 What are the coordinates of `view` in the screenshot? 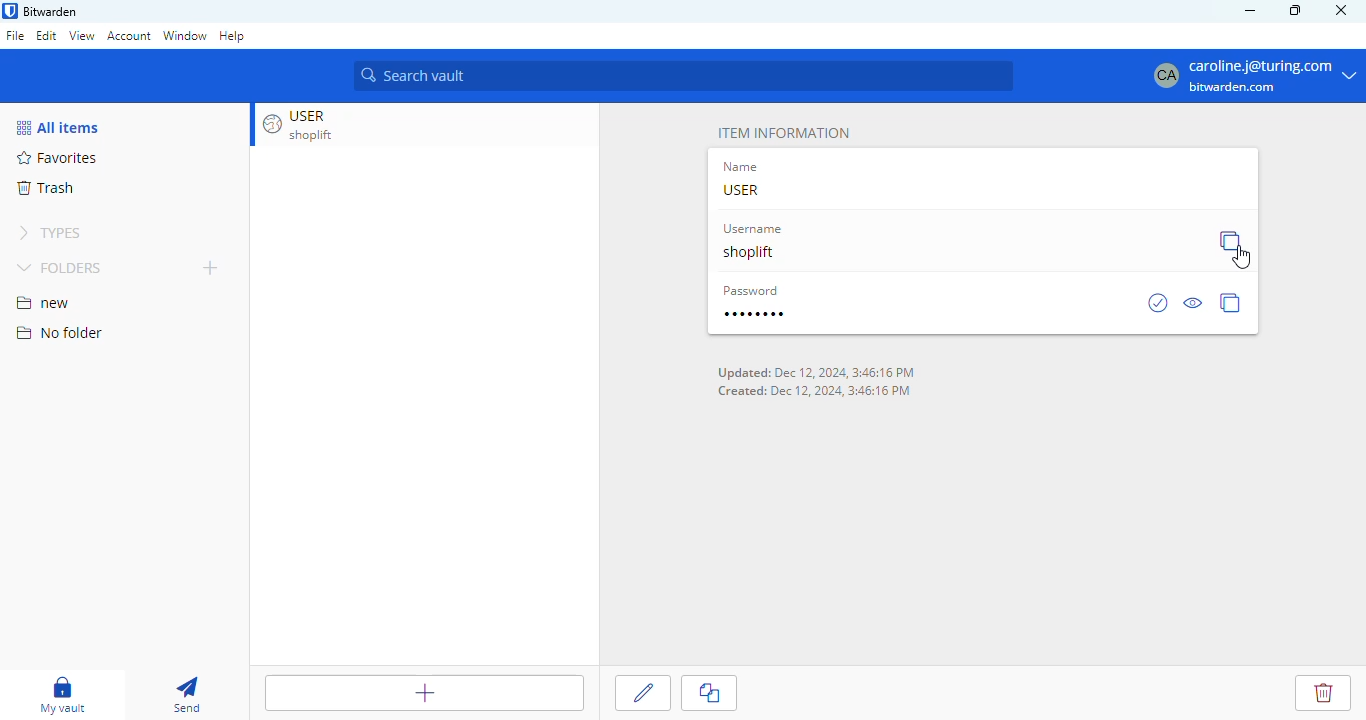 It's located at (81, 35).